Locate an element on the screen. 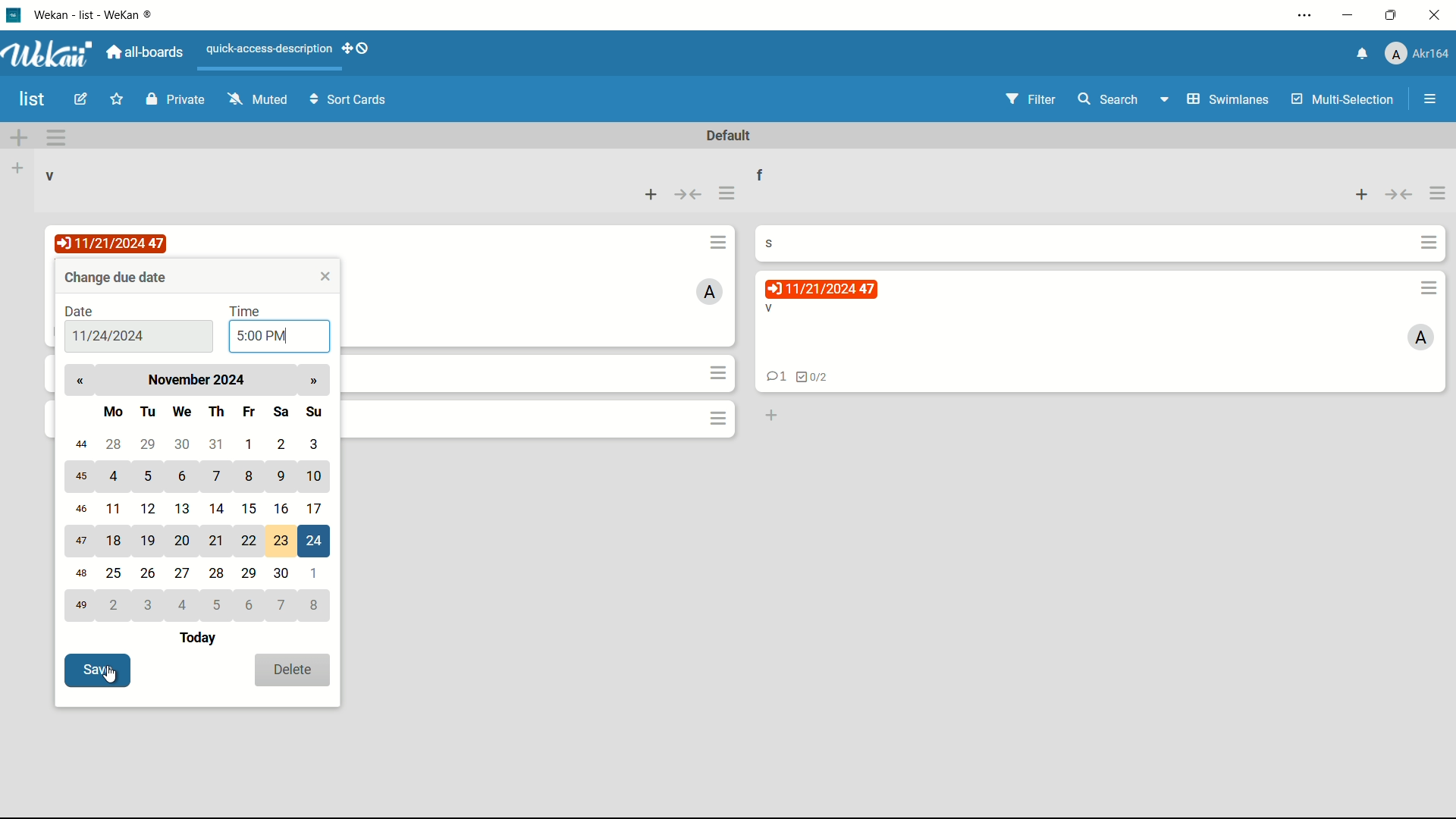 The image size is (1456, 819). previous month is located at coordinates (80, 381).